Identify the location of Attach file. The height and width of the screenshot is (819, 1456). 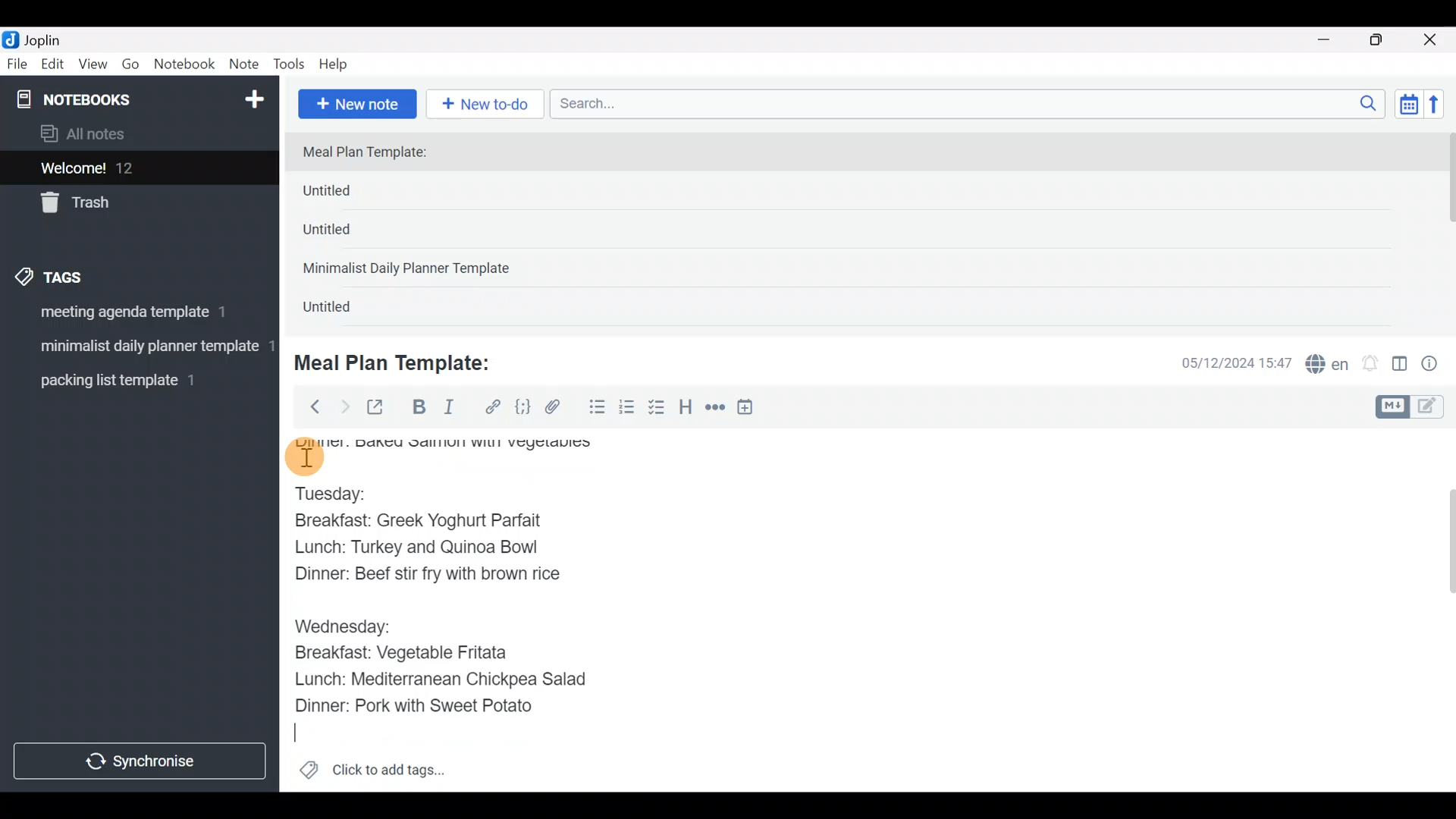
(557, 409).